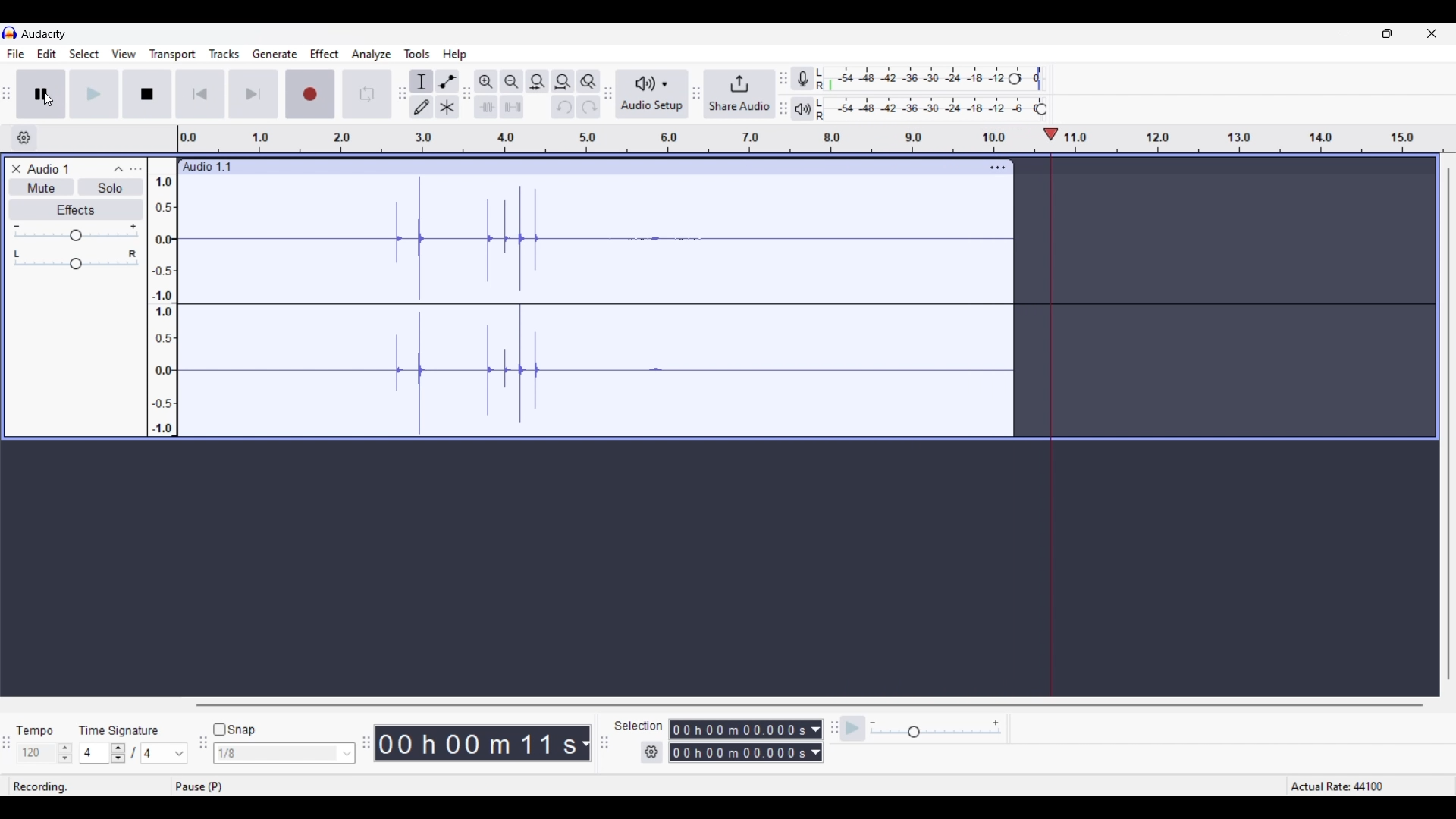 The height and width of the screenshot is (819, 1456). What do you see at coordinates (363, 740) in the screenshot?
I see `toolbar` at bounding box center [363, 740].